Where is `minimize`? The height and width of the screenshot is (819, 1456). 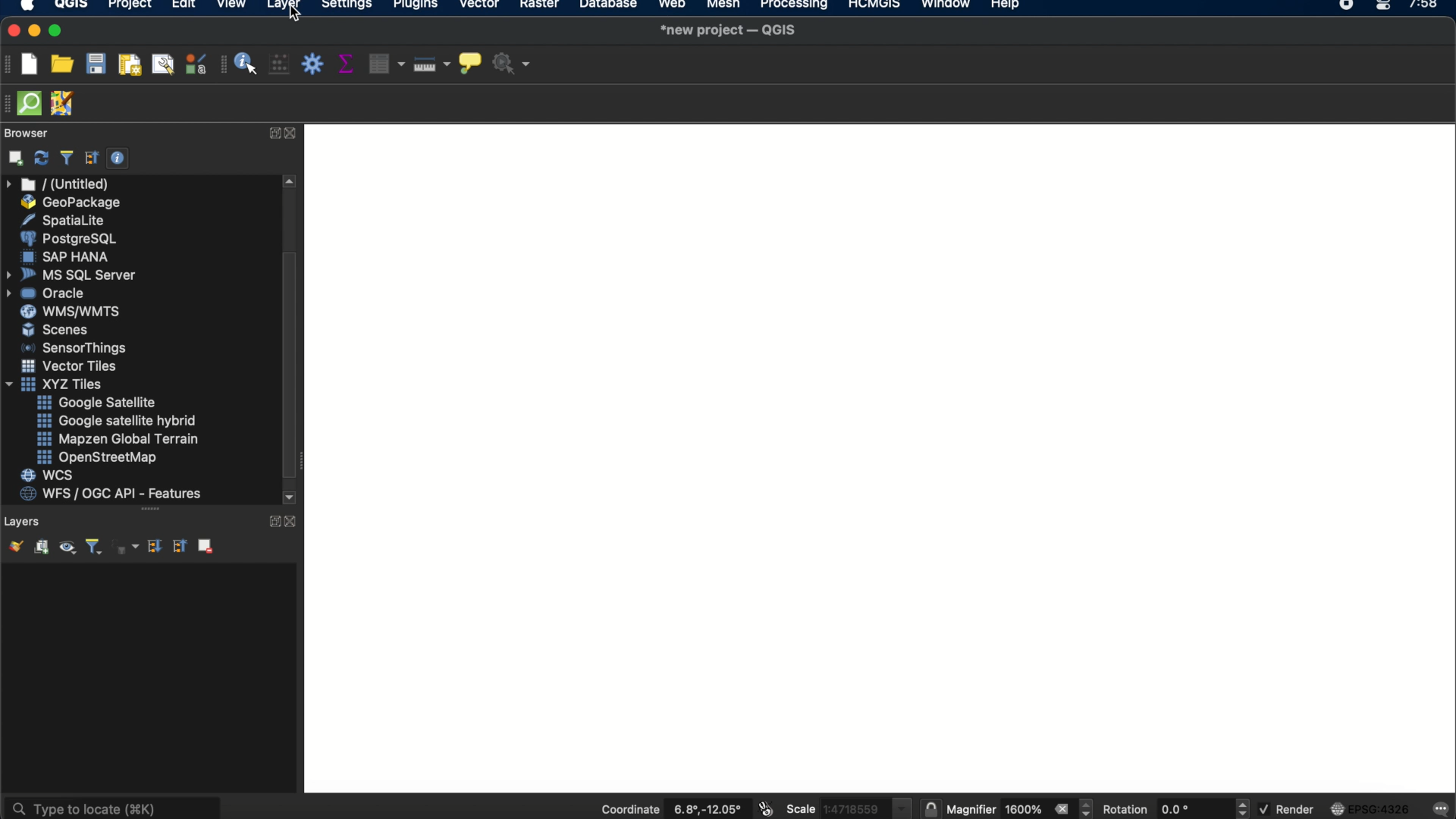 minimize is located at coordinates (34, 31).